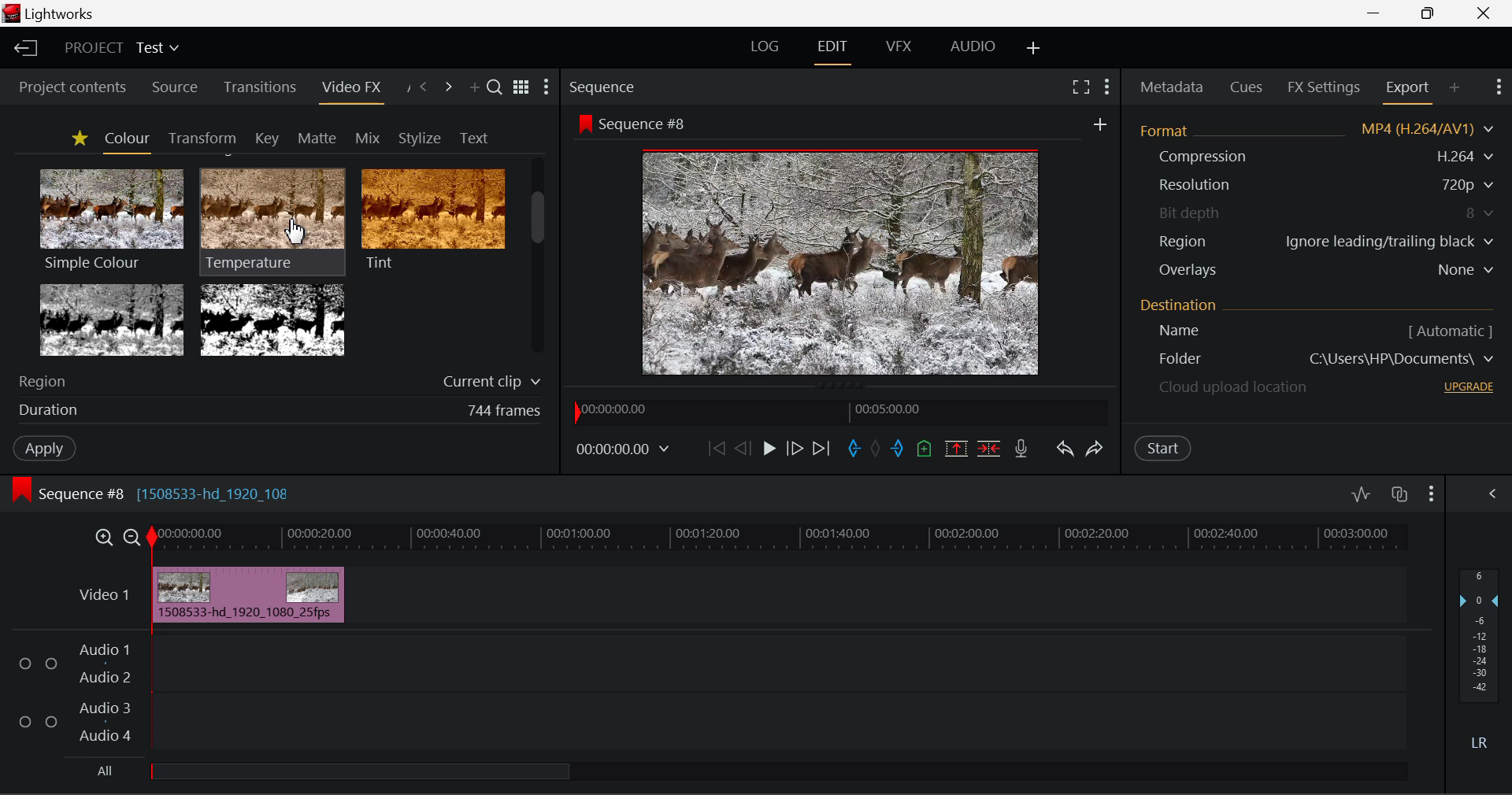  I want to click on Two Tone, so click(270, 319).